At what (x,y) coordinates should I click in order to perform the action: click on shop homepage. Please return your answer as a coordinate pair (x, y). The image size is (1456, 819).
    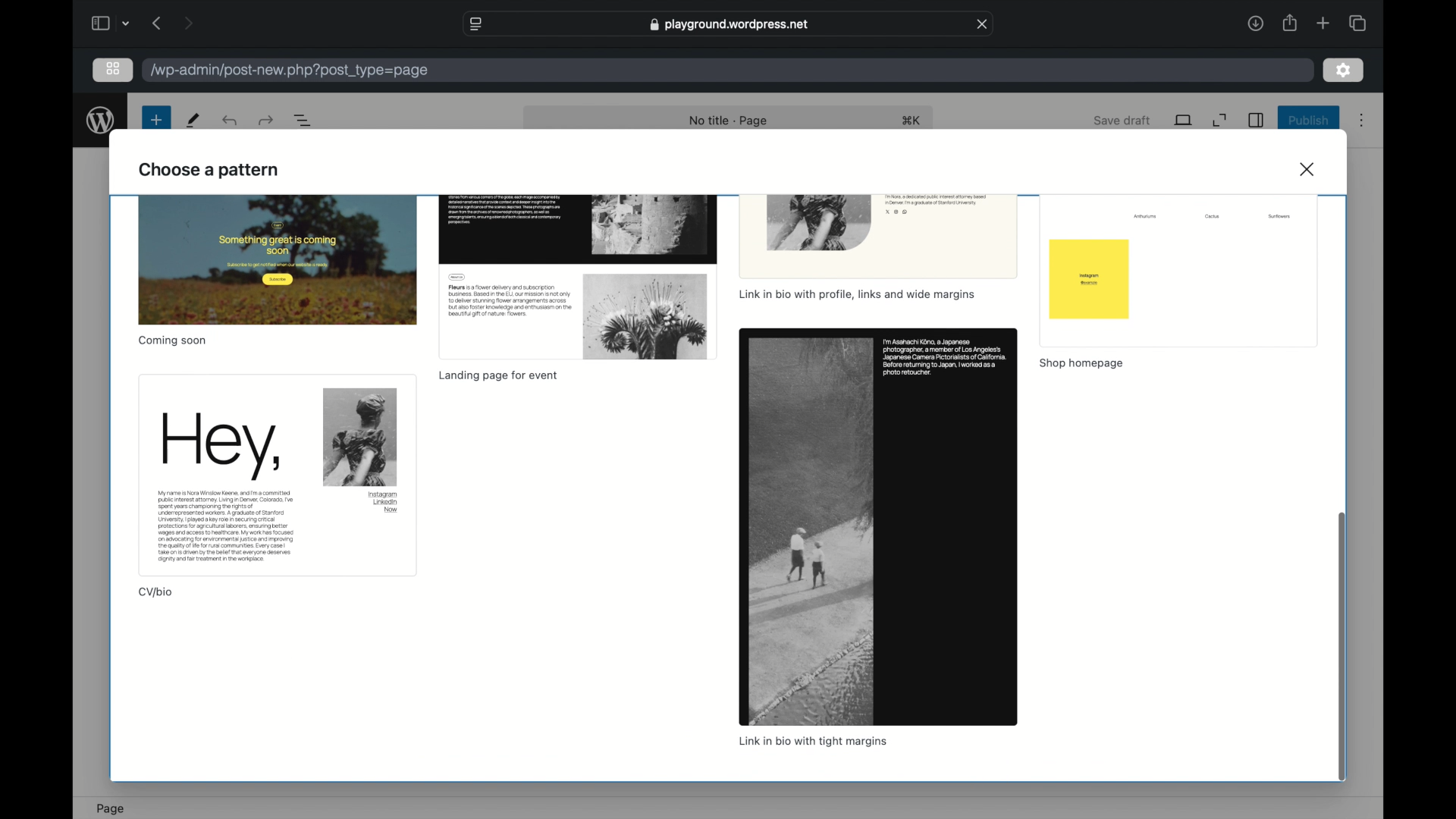
    Looking at the image, I should click on (1081, 365).